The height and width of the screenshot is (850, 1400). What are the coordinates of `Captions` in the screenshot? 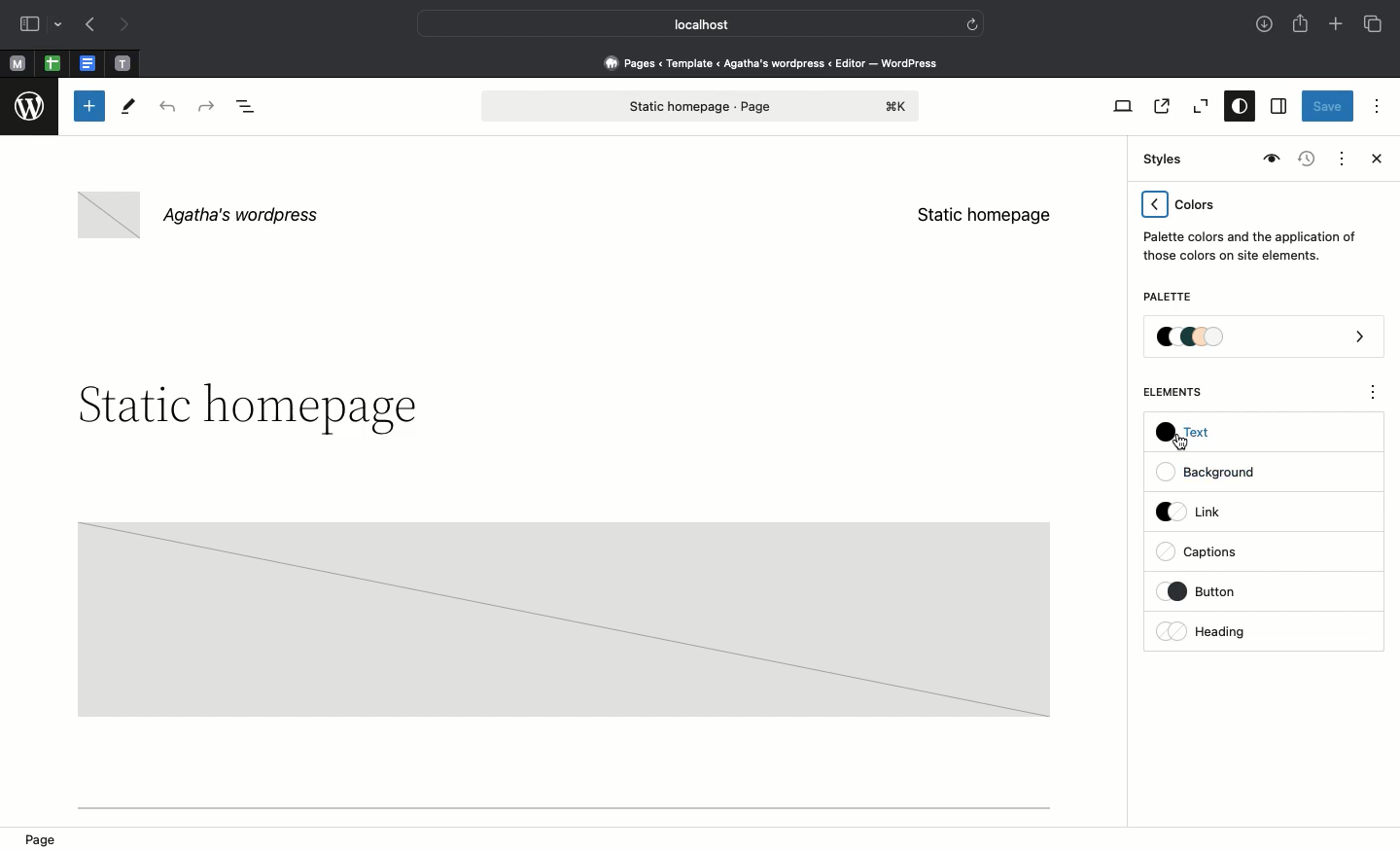 It's located at (1207, 553).